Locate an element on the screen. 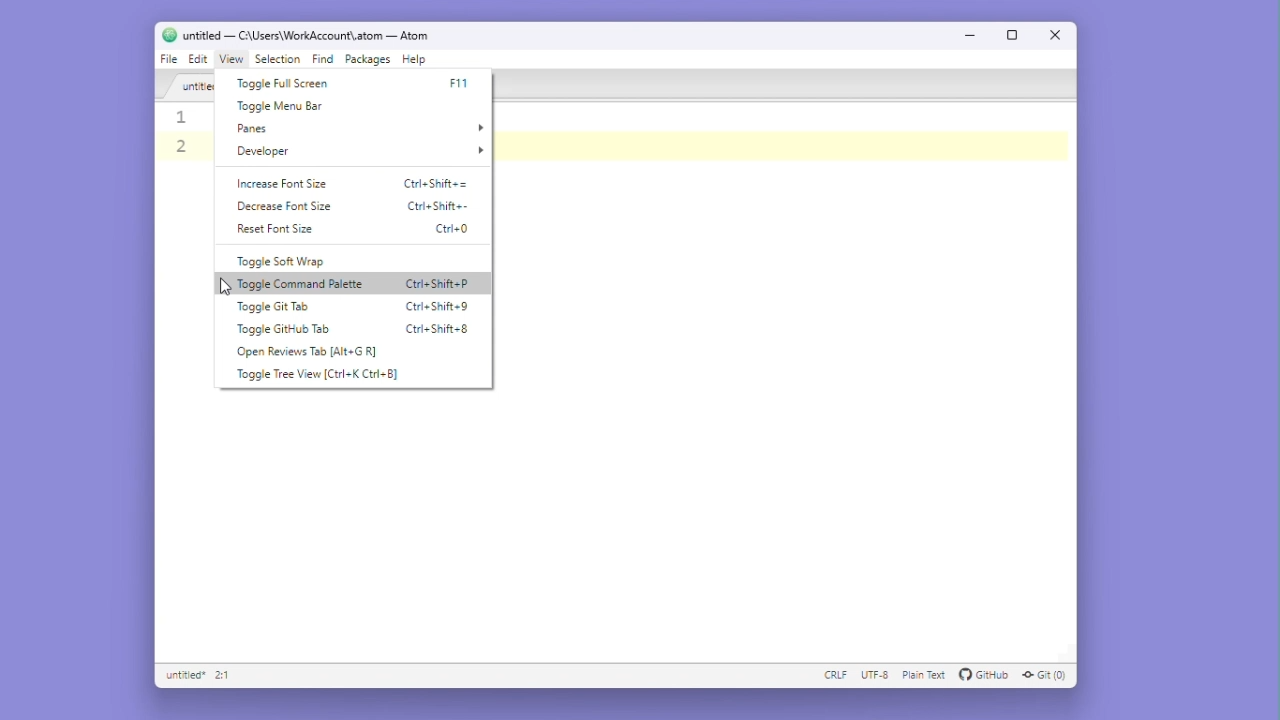 This screenshot has height=720, width=1280. Minimise is located at coordinates (975, 34).